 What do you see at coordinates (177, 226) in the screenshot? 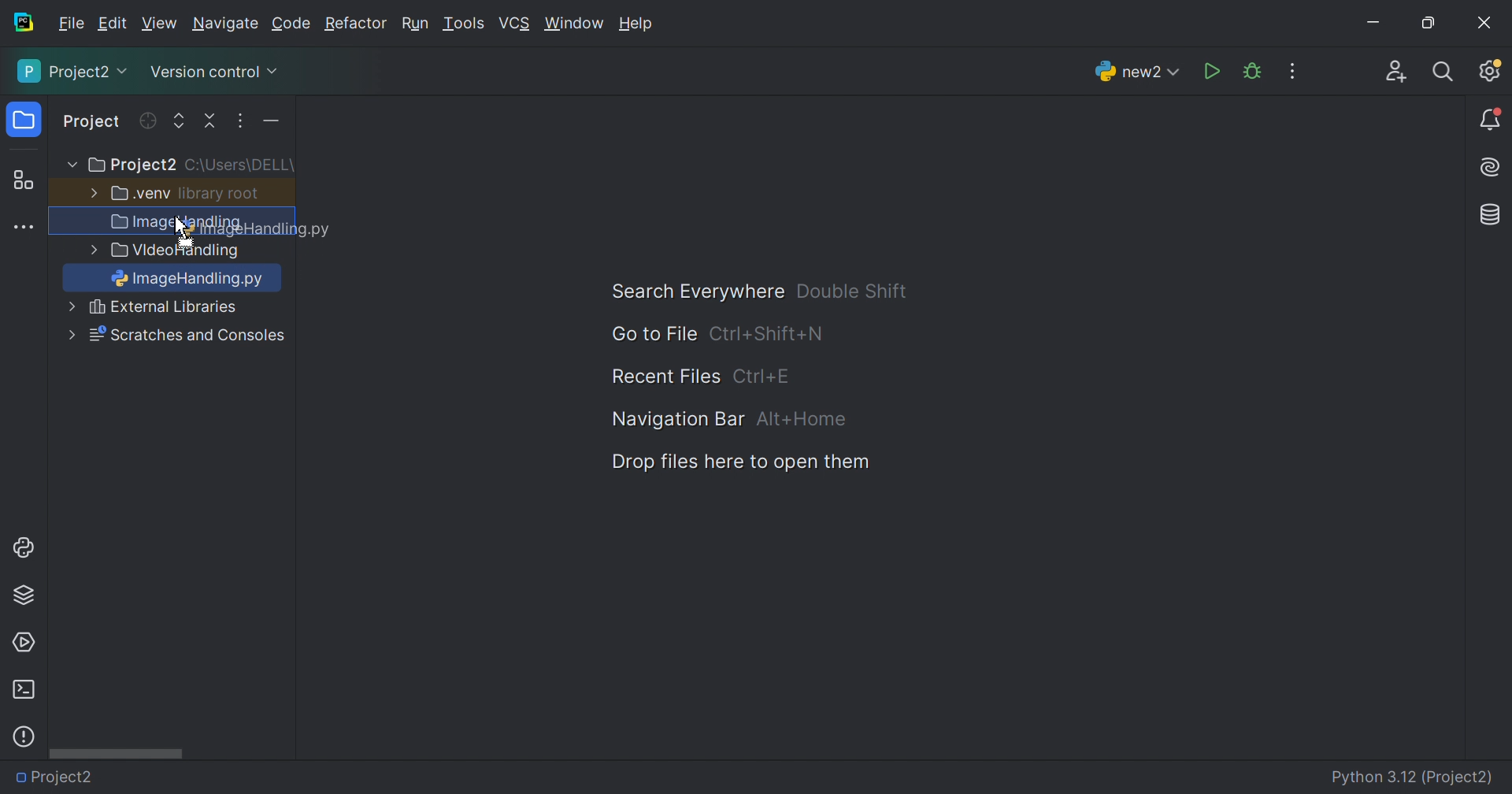
I see `Cursor` at bounding box center [177, 226].